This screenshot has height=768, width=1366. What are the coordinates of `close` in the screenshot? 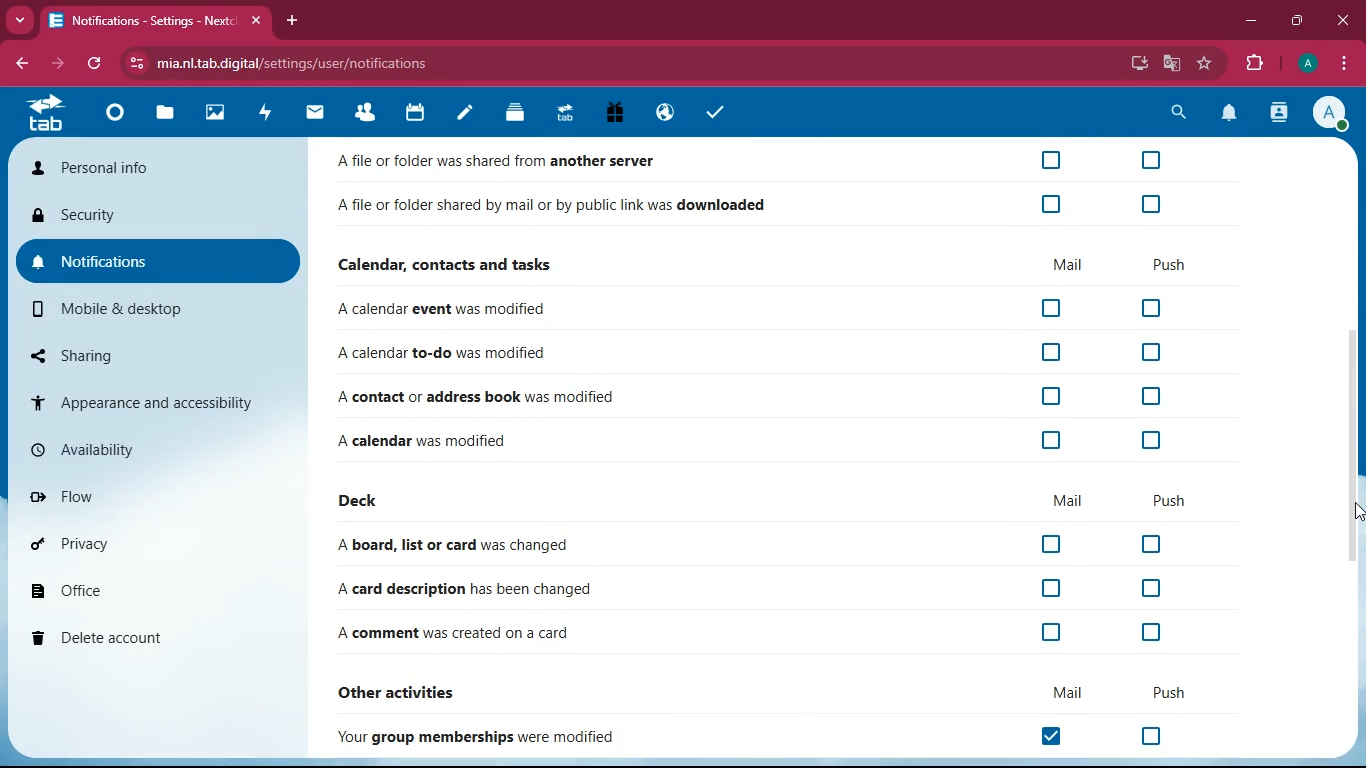 It's located at (1340, 21).